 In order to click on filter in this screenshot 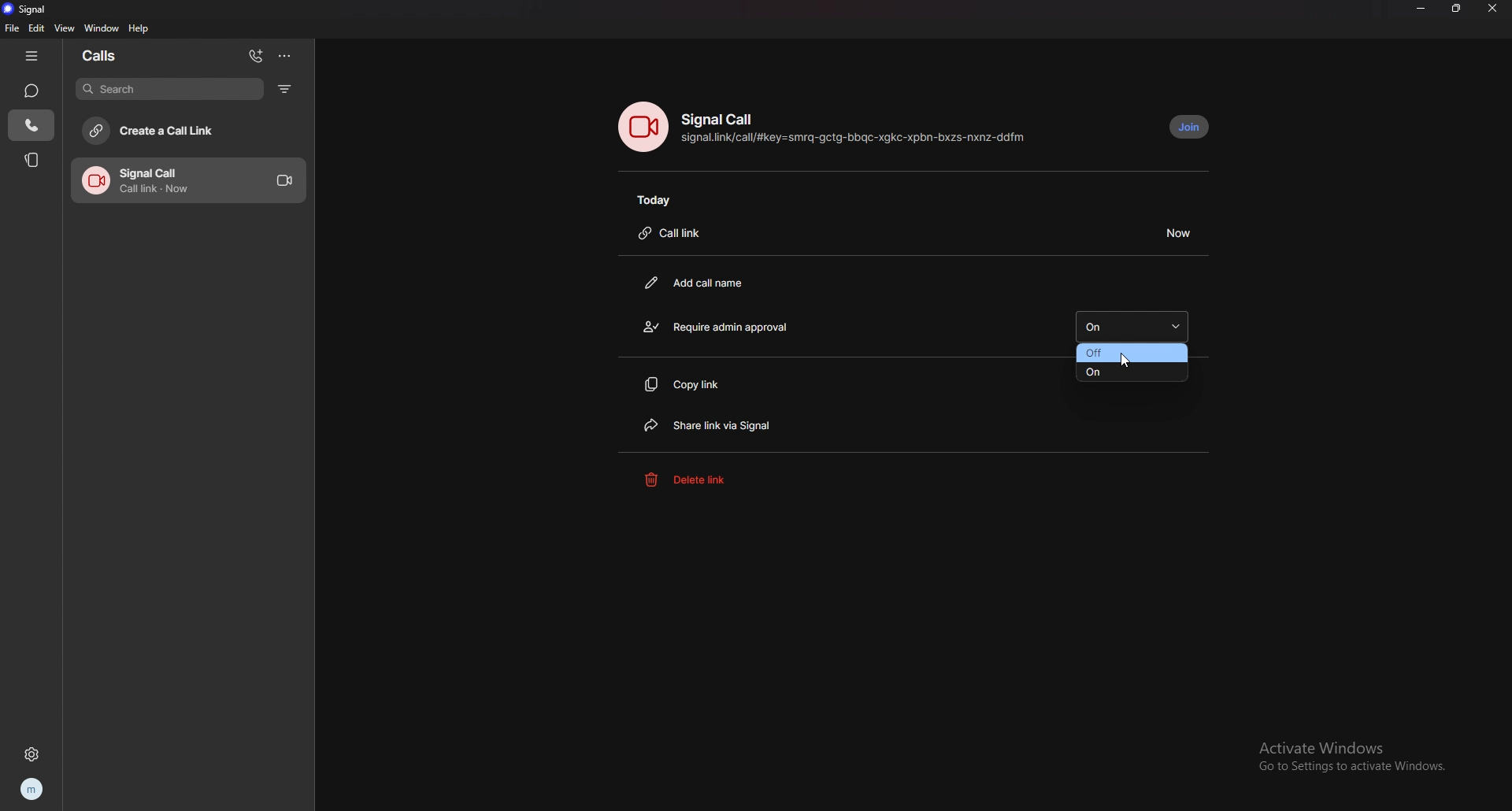, I will do `click(286, 89)`.